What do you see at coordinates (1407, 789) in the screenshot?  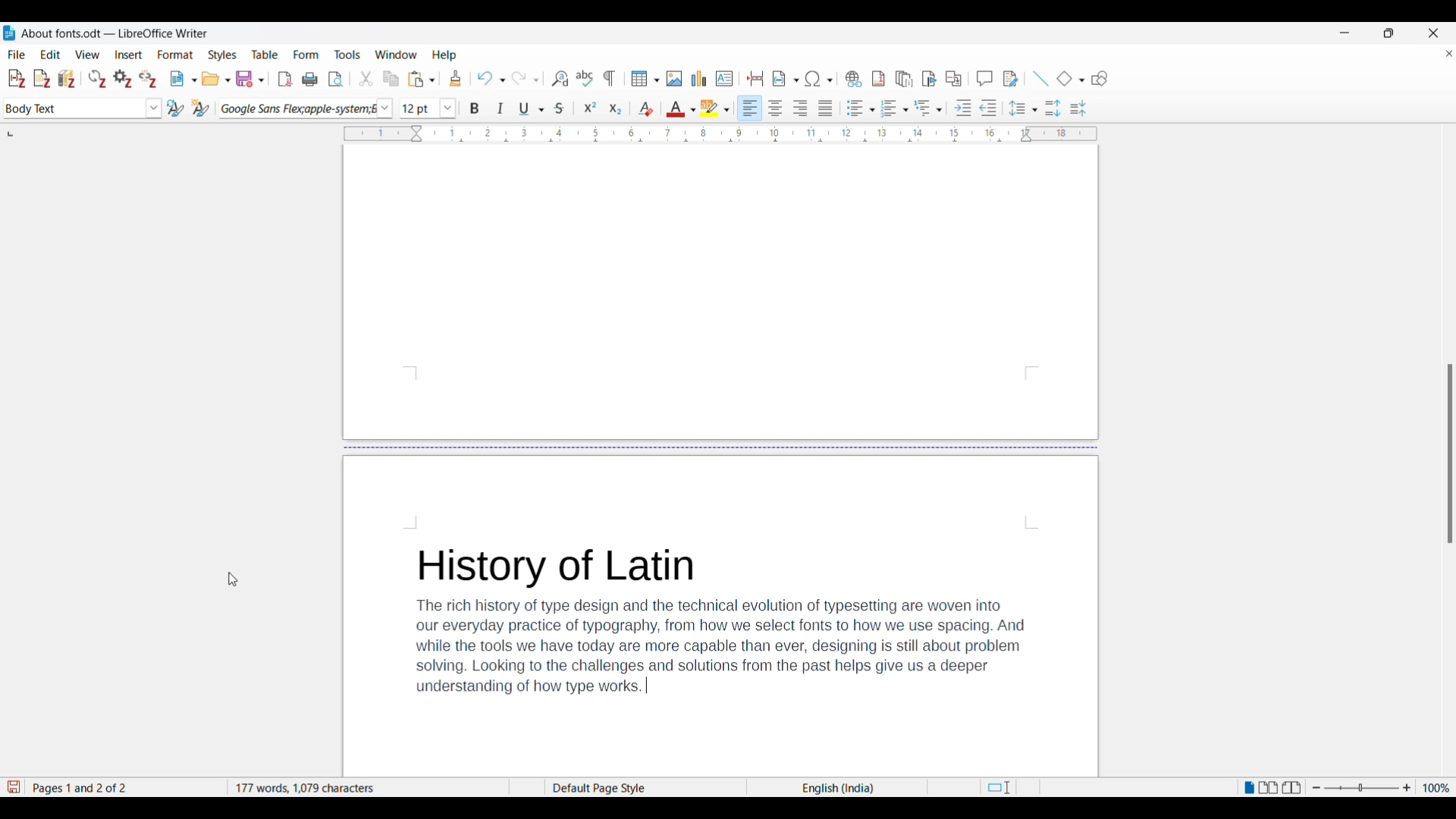 I see `Zoom in` at bounding box center [1407, 789].